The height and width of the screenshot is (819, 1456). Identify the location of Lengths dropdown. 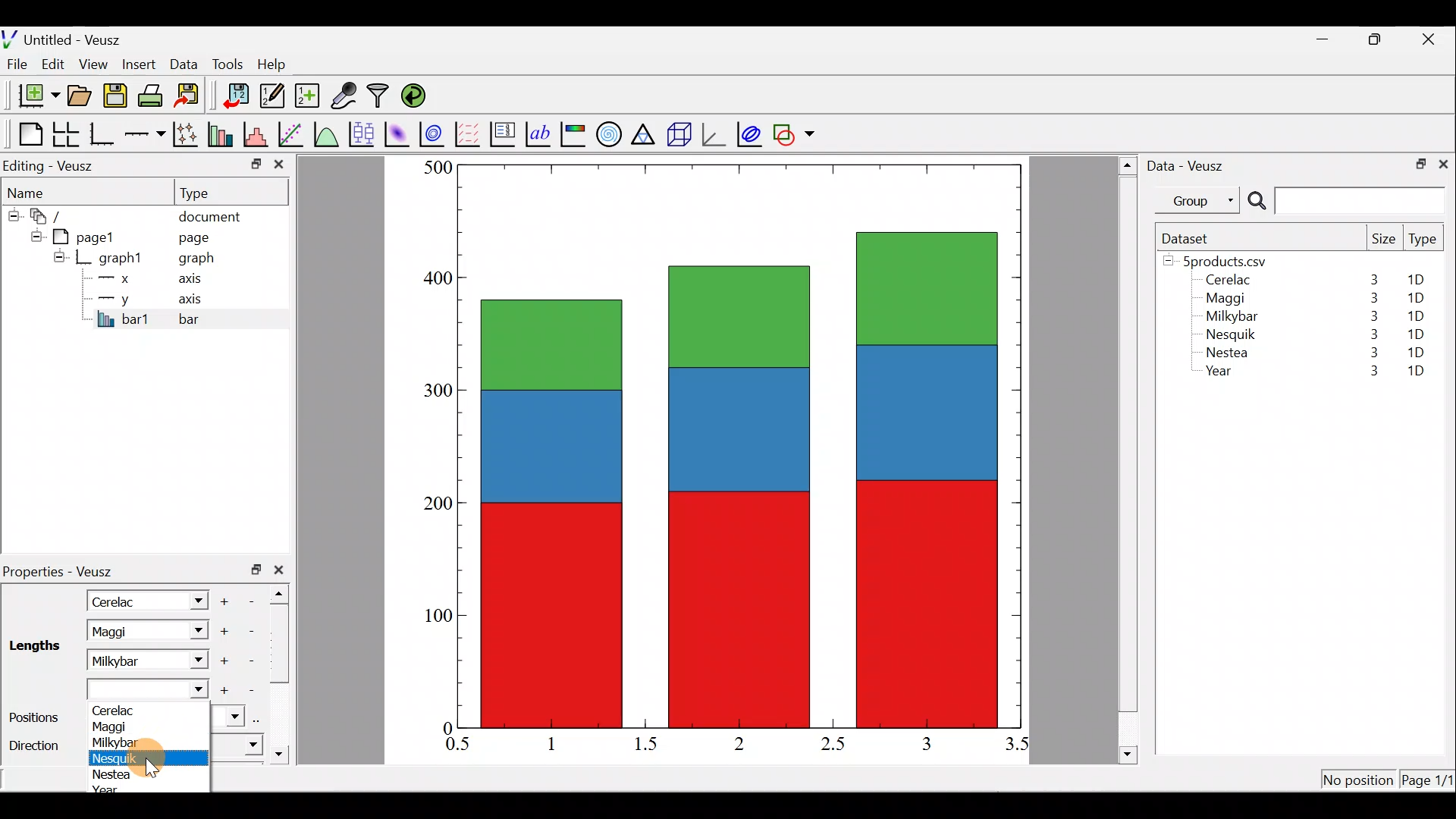
(149, 689).